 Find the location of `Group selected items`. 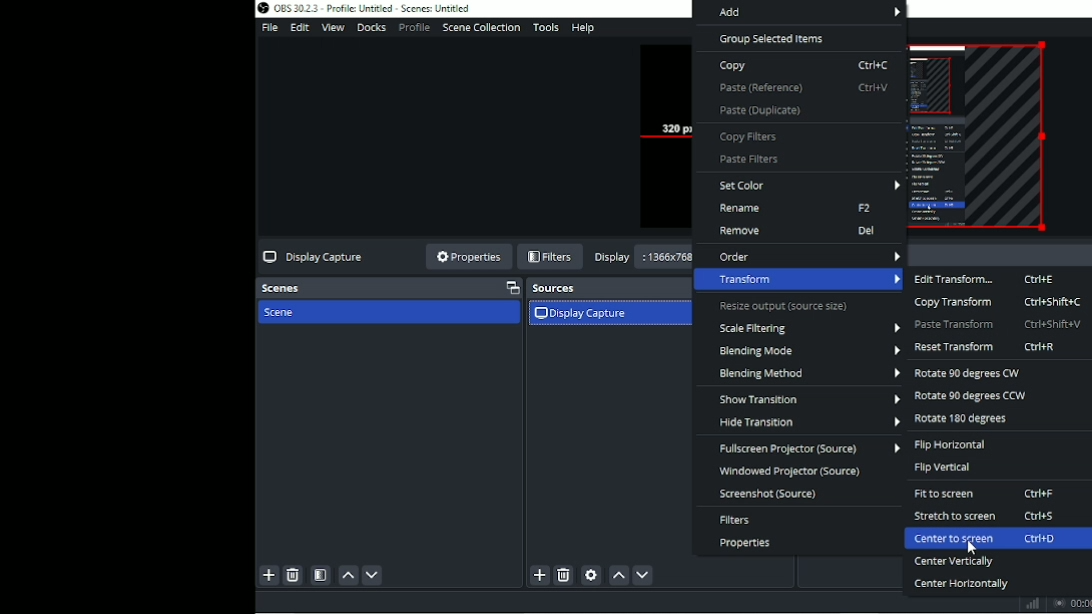

Group selected items is located at coordinates (774, 40).